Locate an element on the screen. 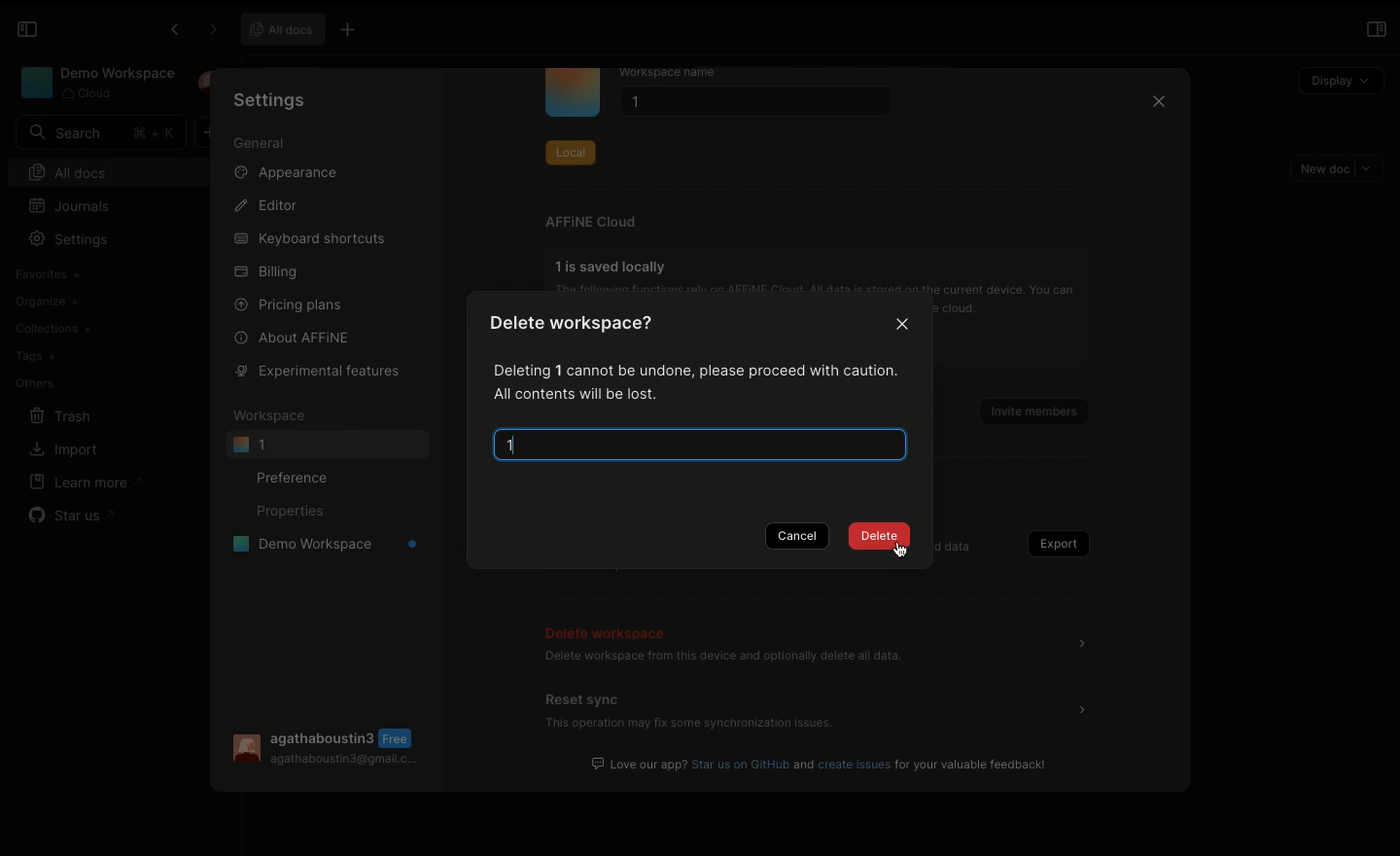  Settings is located at coordinates (270, 99).